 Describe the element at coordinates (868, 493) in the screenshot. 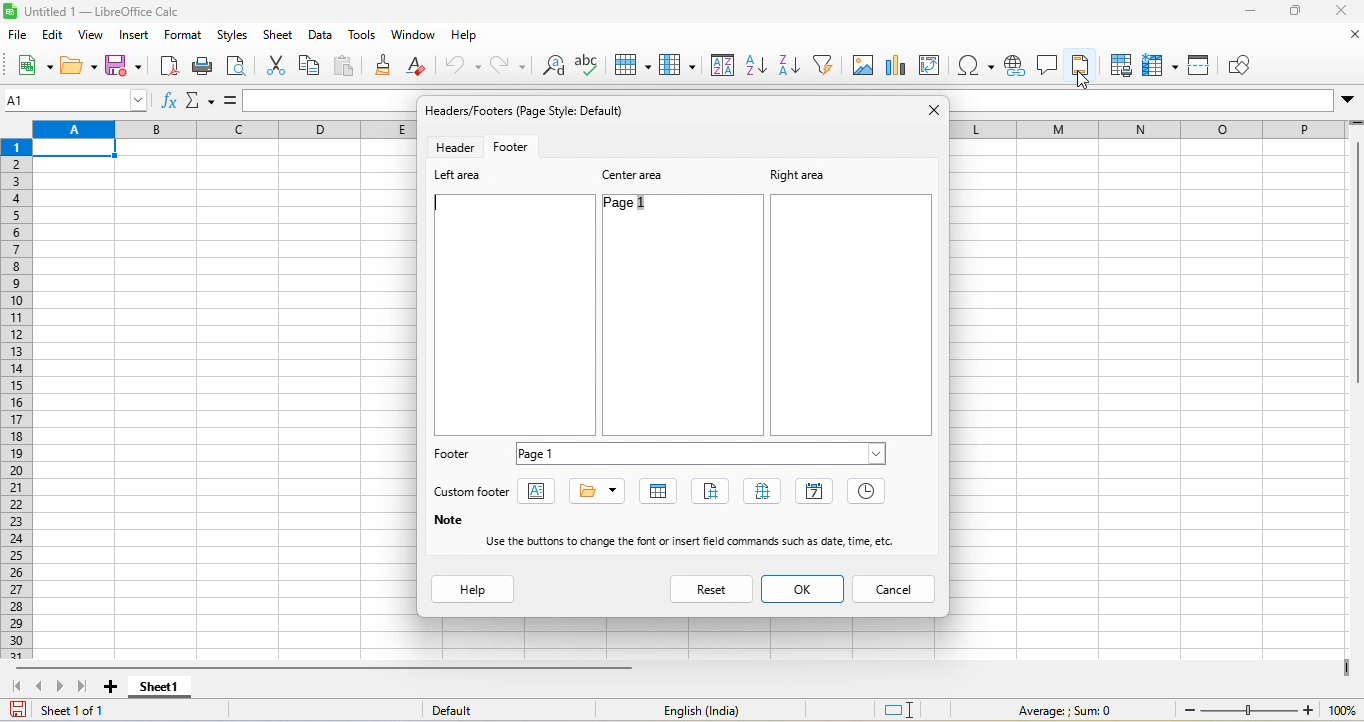

I see `time` at that location.